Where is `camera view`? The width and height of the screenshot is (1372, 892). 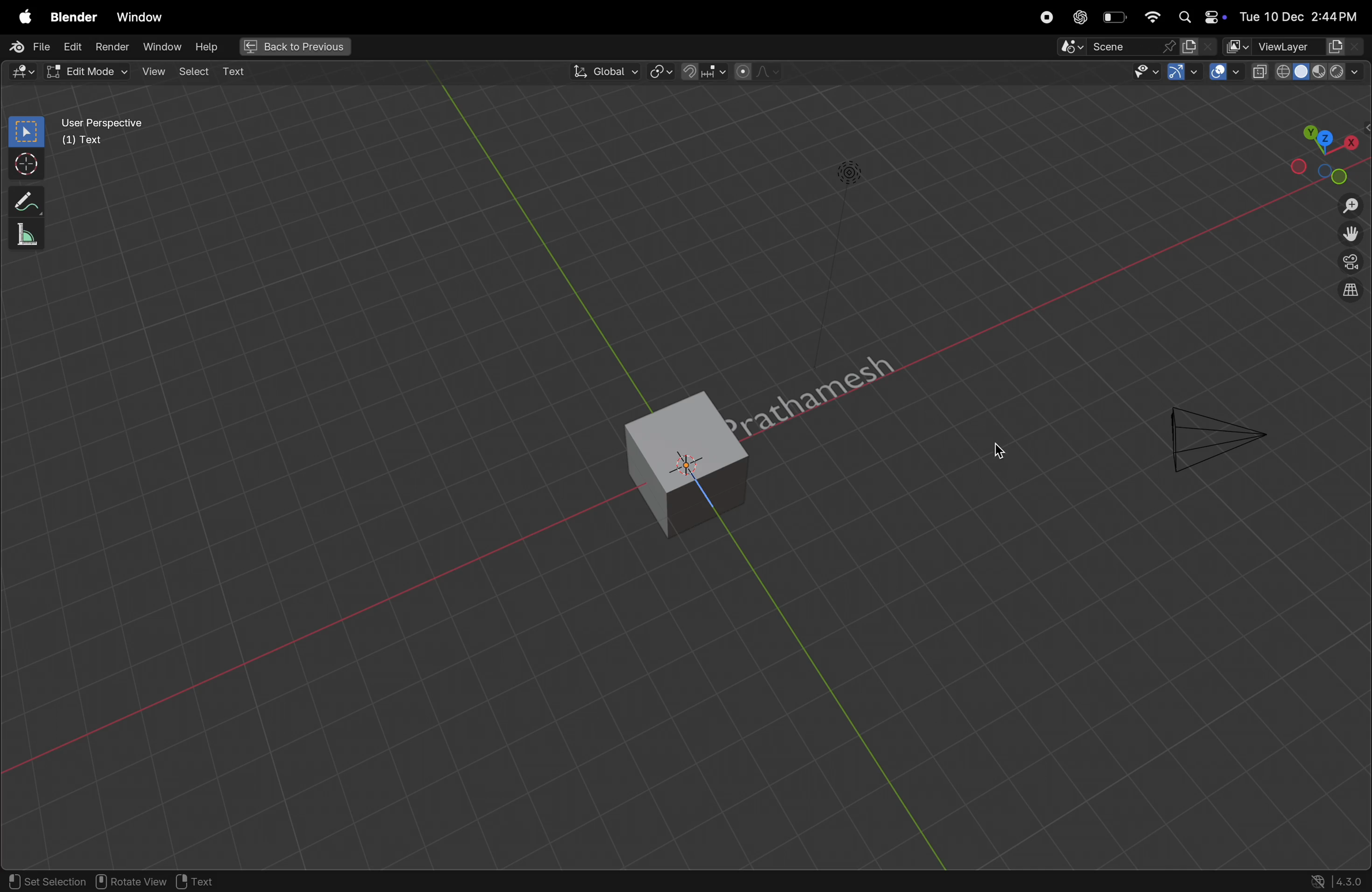 camera view is located at coordinates (1349, 266).